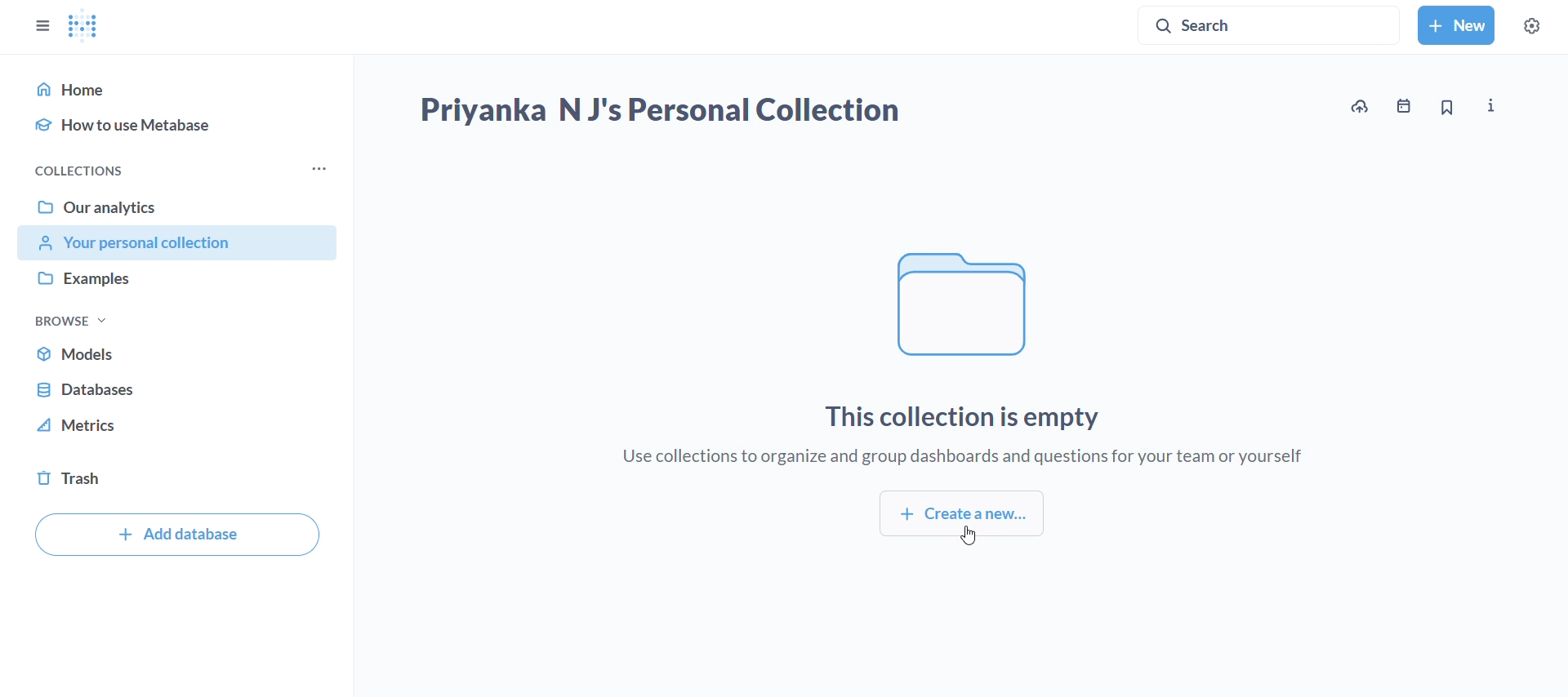 This screenshot has height=697, width=1568. Describe the element at coordinates (70, 169) in the screenshot. I see `collections` at that location.